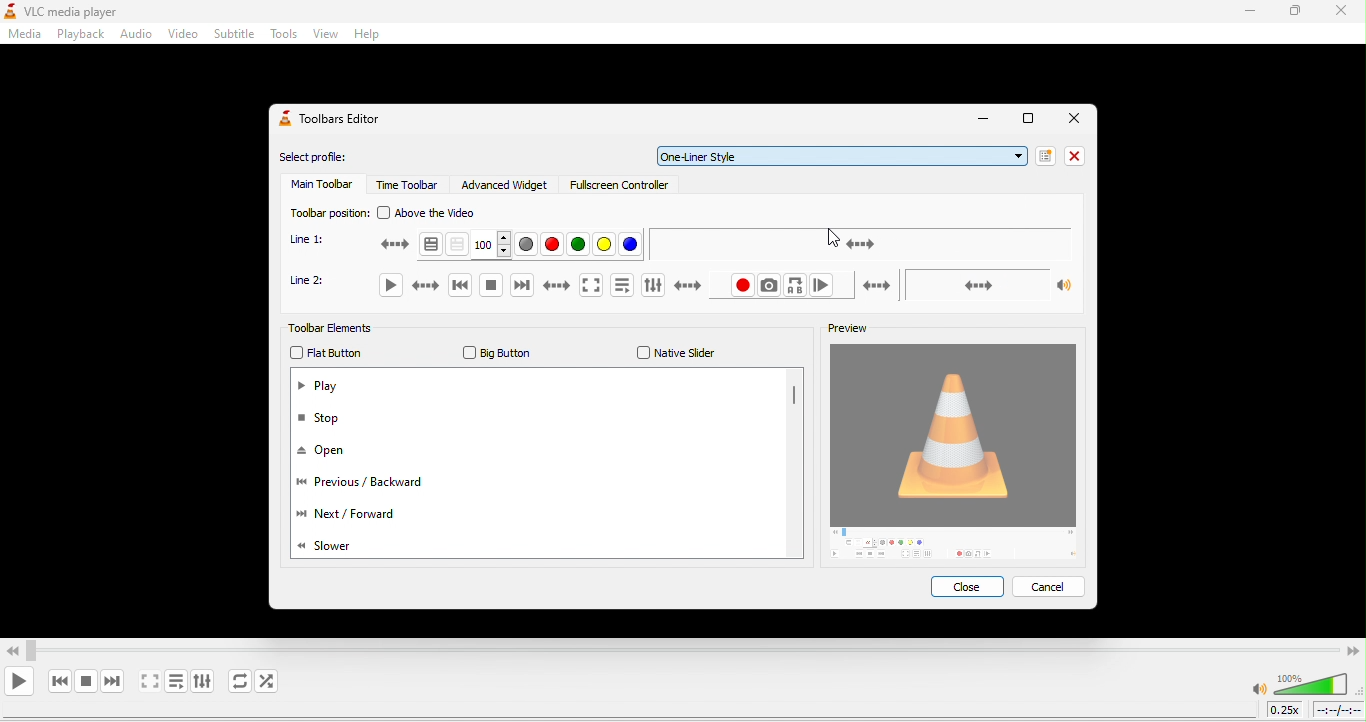 This screenshot has width=1366, height=722. Describe the element at coordinates (324, 36) in the screenshot. I see `view` at that location.